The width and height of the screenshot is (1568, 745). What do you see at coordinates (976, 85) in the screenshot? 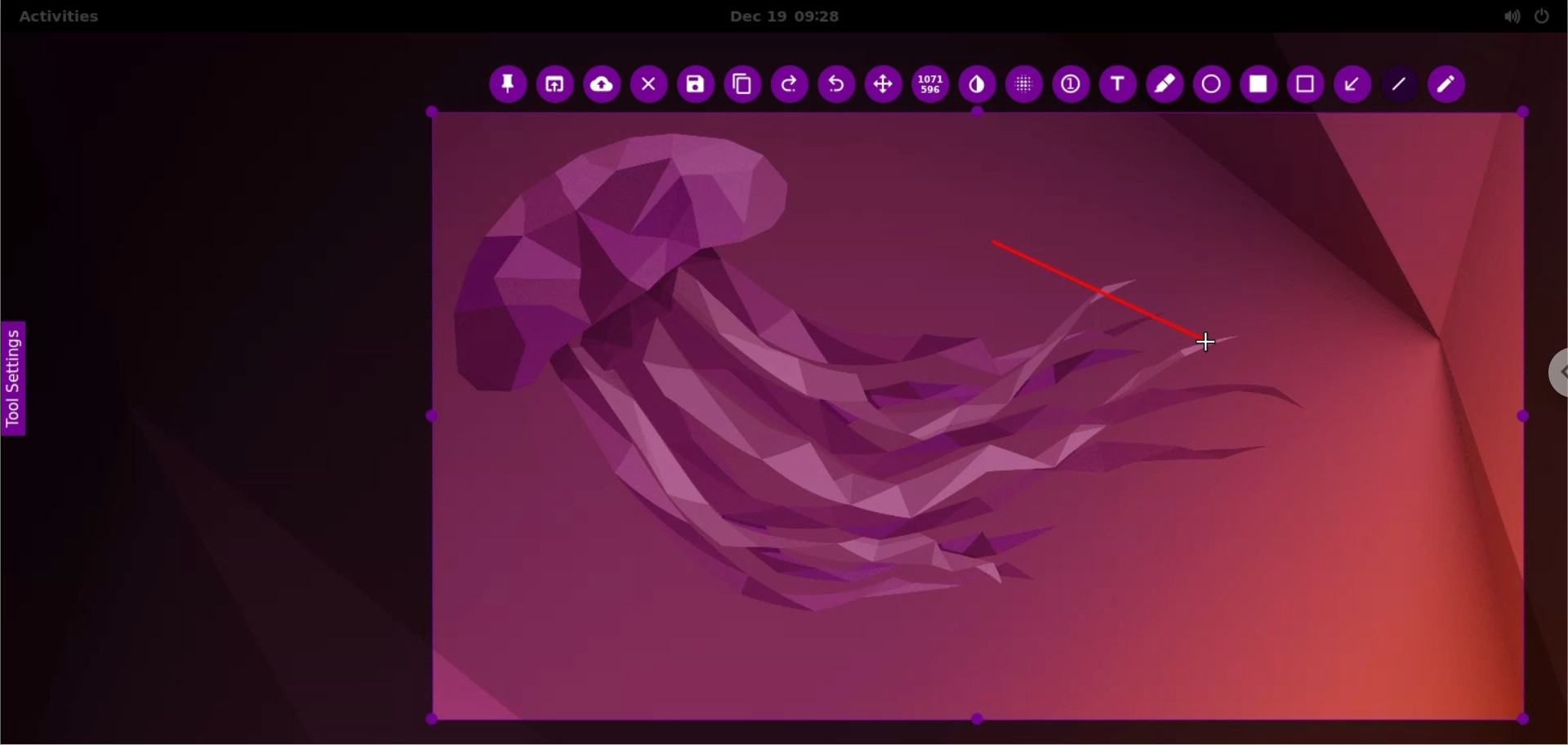
I see `inverter` at bounding box center [976, 85].